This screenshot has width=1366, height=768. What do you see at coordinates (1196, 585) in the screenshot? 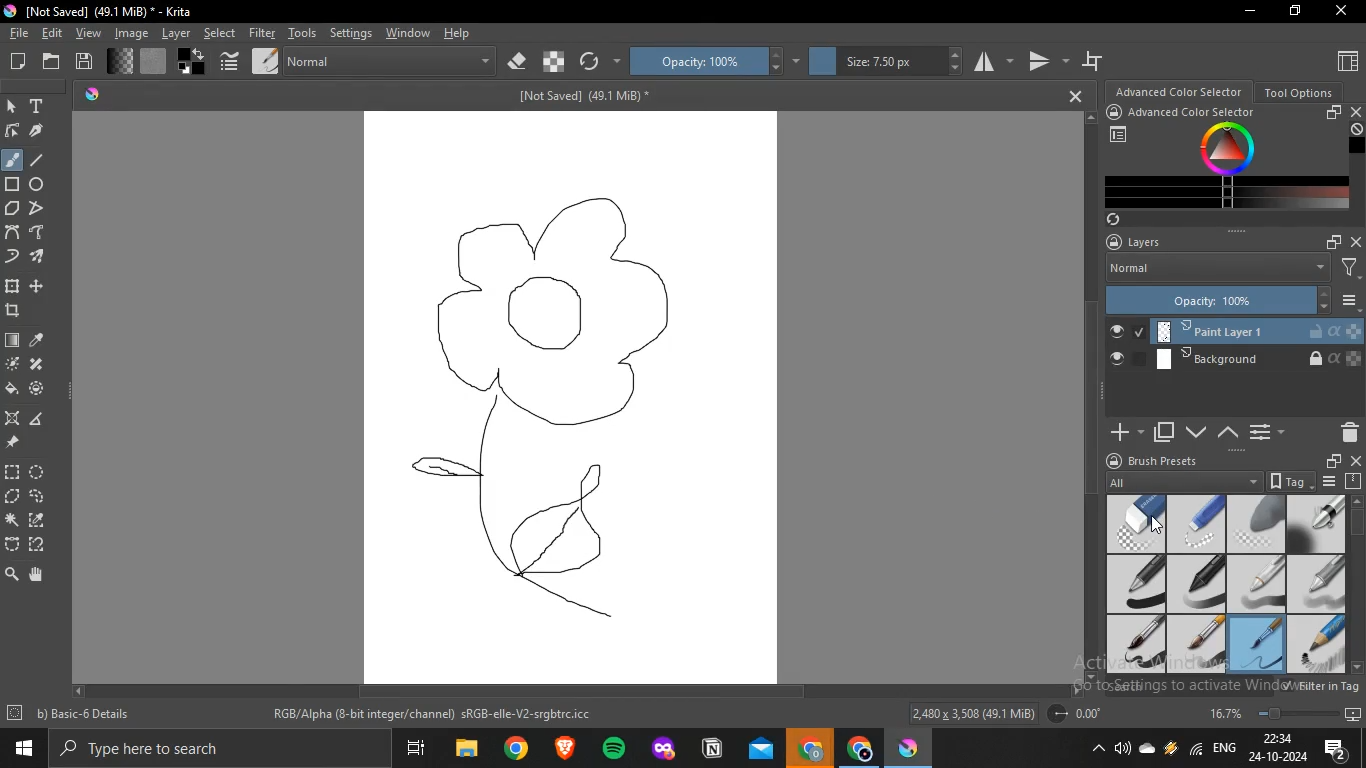
I see `basic 2 opacity` at bounding box center [1196, 585].